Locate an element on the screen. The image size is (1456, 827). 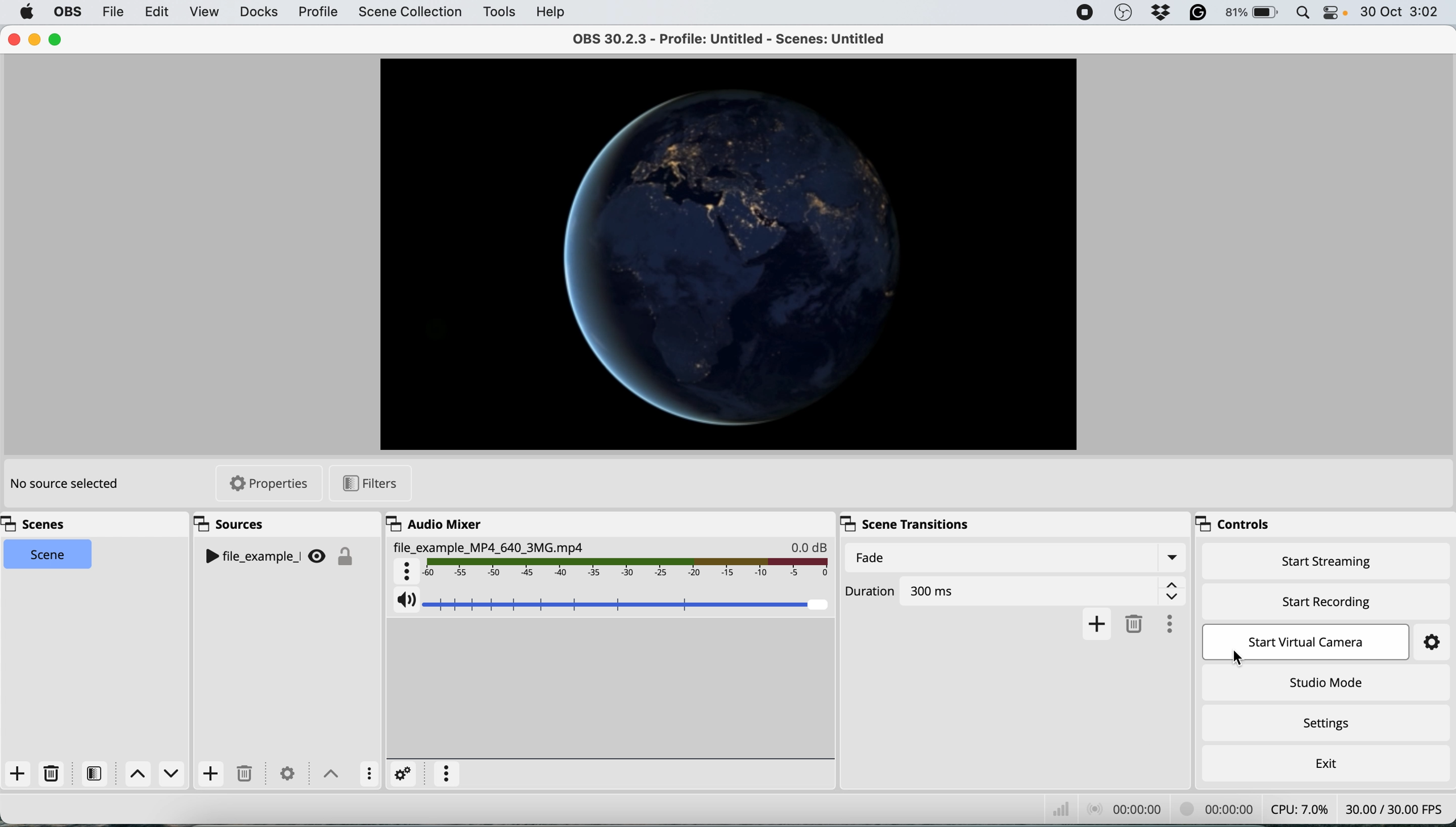
scenes is located at coordinates (40, 523).